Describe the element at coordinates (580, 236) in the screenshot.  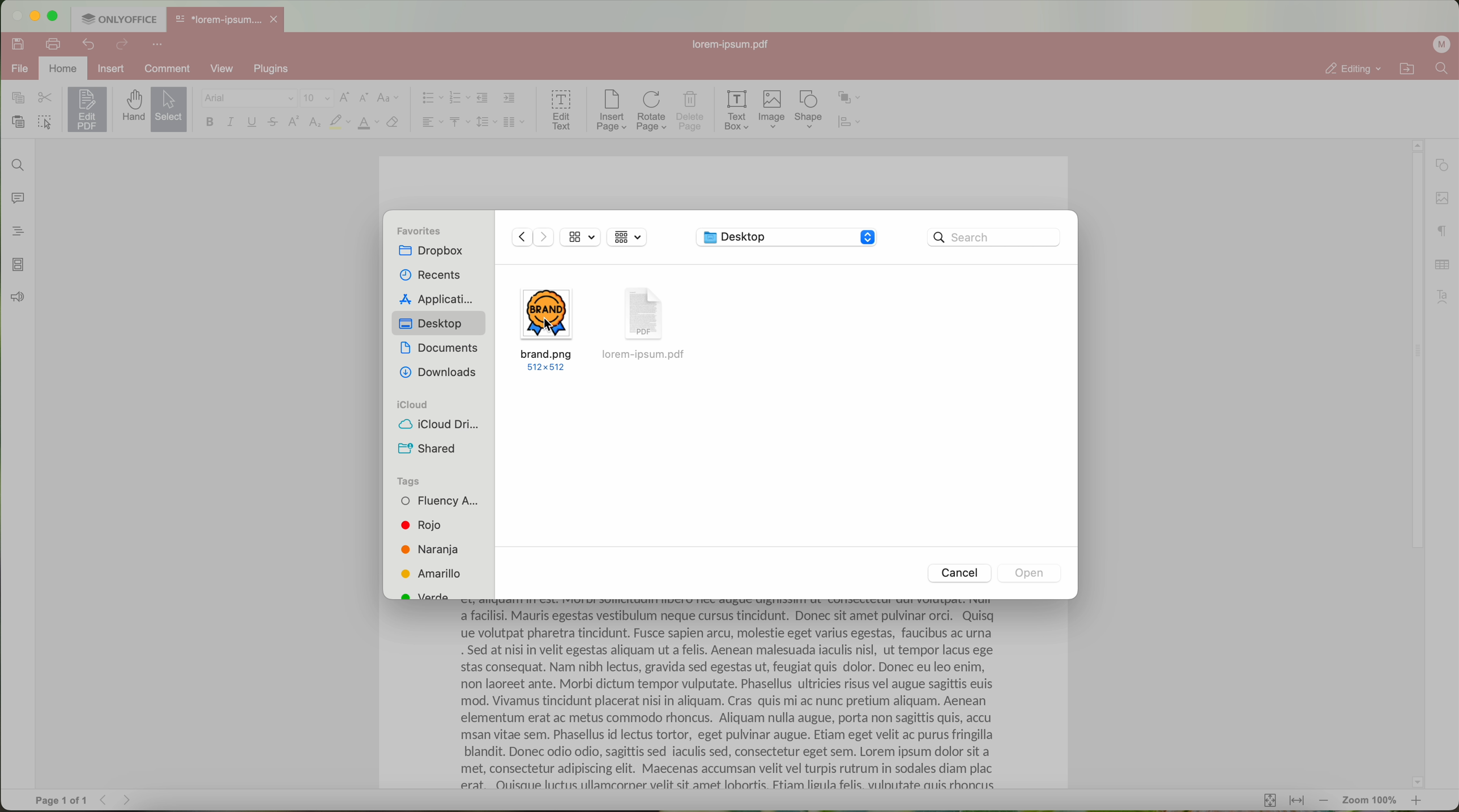
I see `view` at that location.